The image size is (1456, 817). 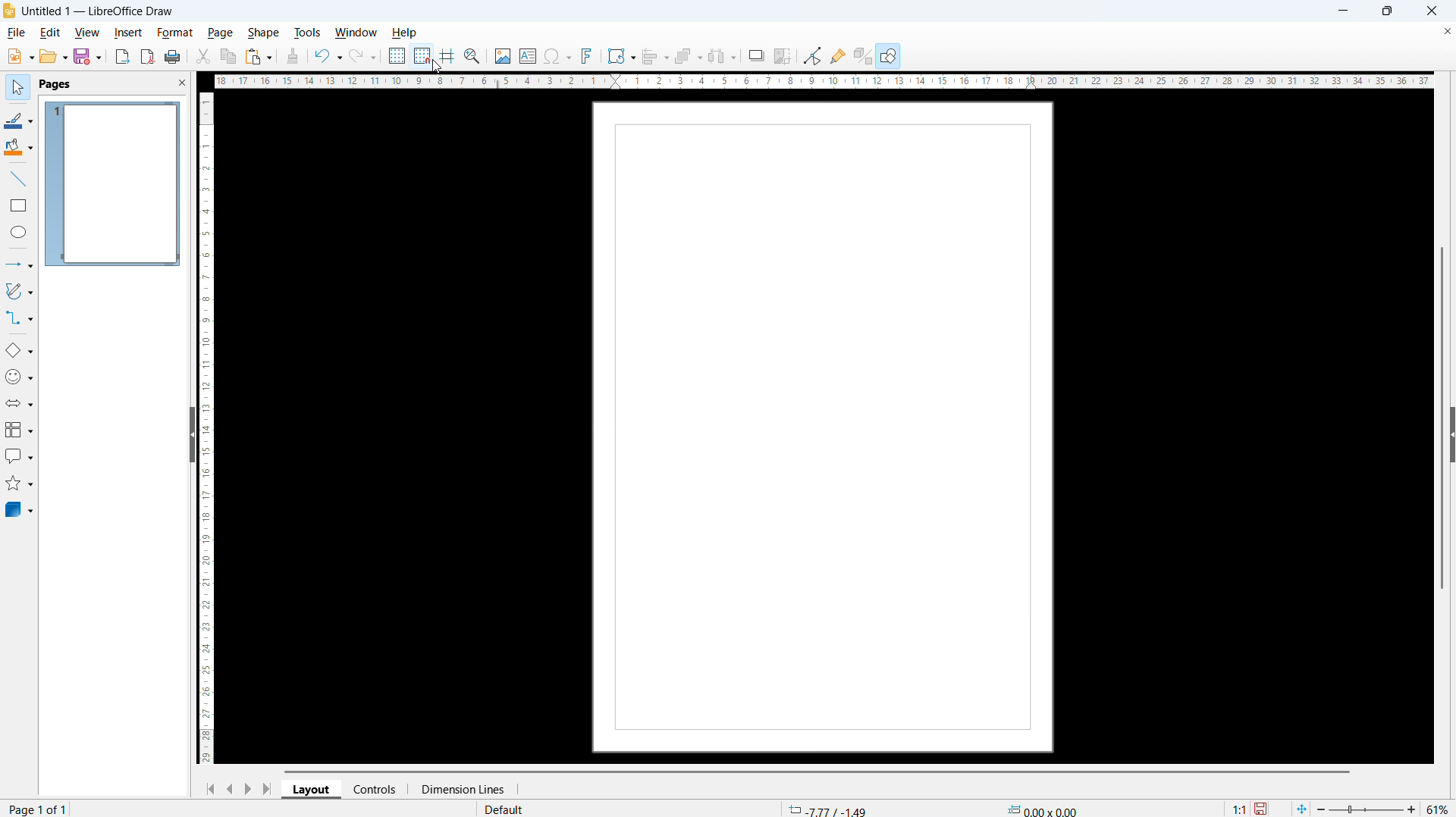 What do you see at coordinates (20, 291) in the screenshot?
I see `curves and polygons` at bounding box center [20, 291].